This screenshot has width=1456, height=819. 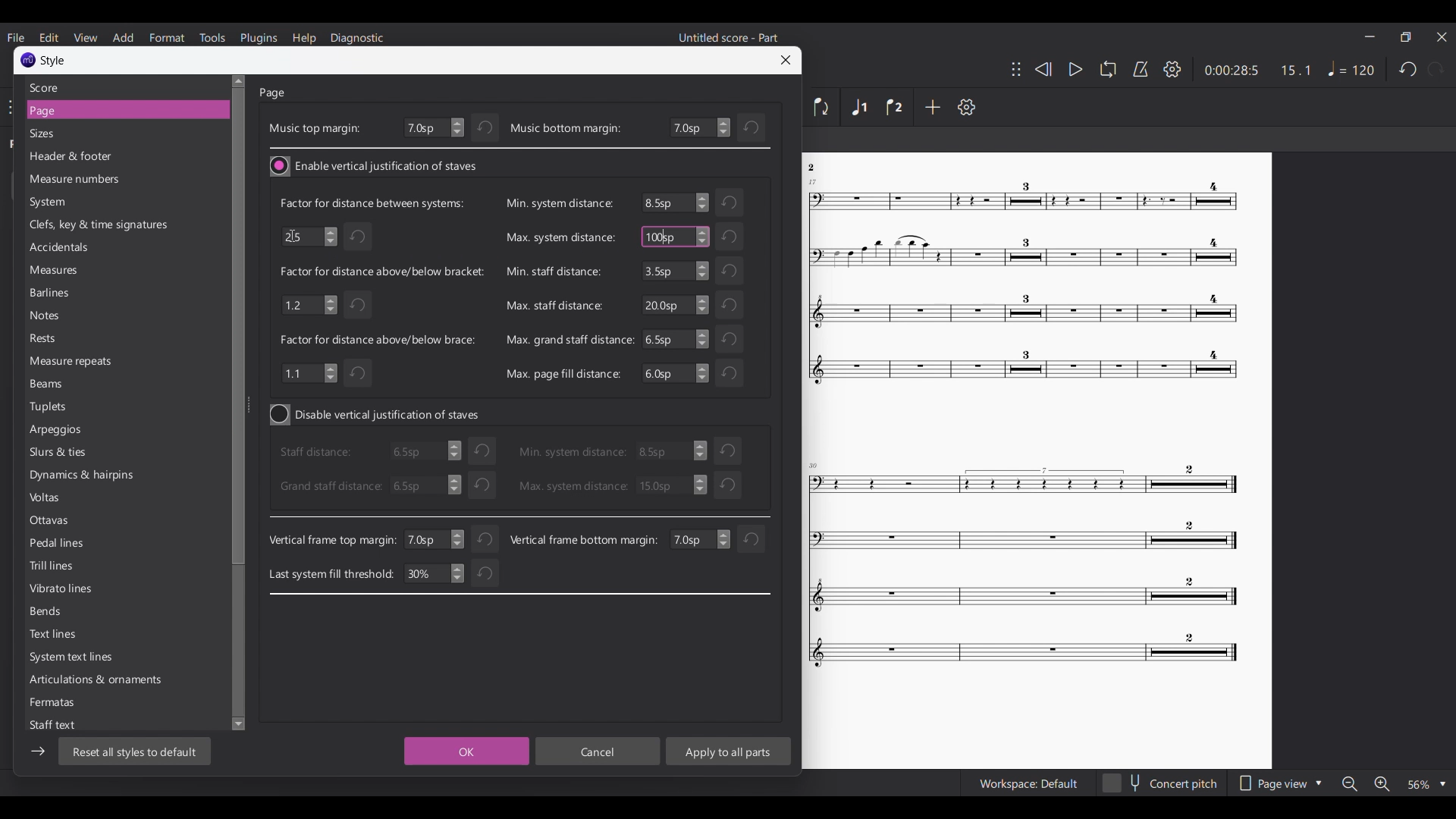 I want to click on Undo change, so click(x=752, y=127).